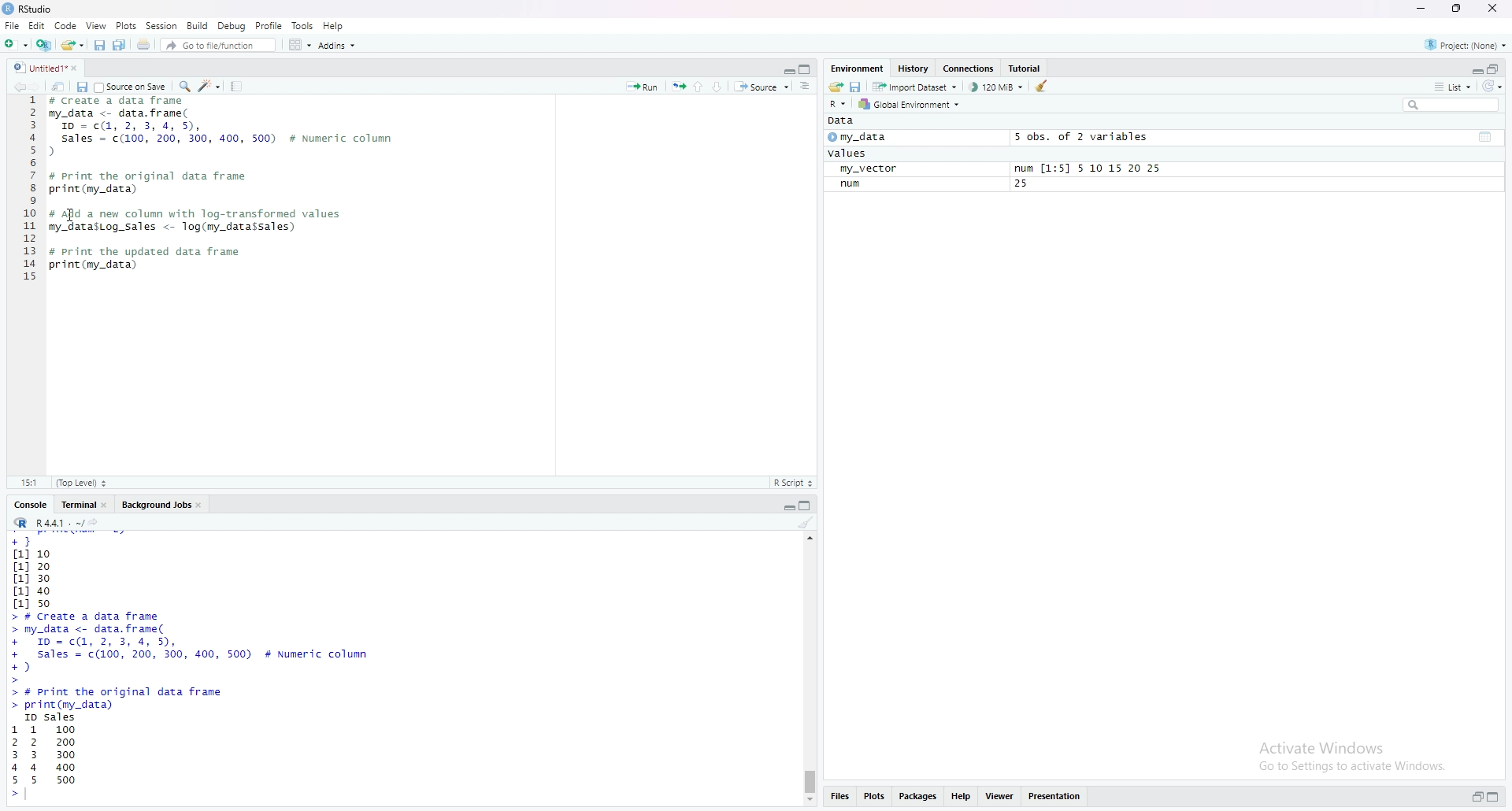 The width and height of the screenshot is (1512, 811). What do you see at coordinates (121, 26) in the screenshot?
I see `Plots` at bounding box center [121, 26].